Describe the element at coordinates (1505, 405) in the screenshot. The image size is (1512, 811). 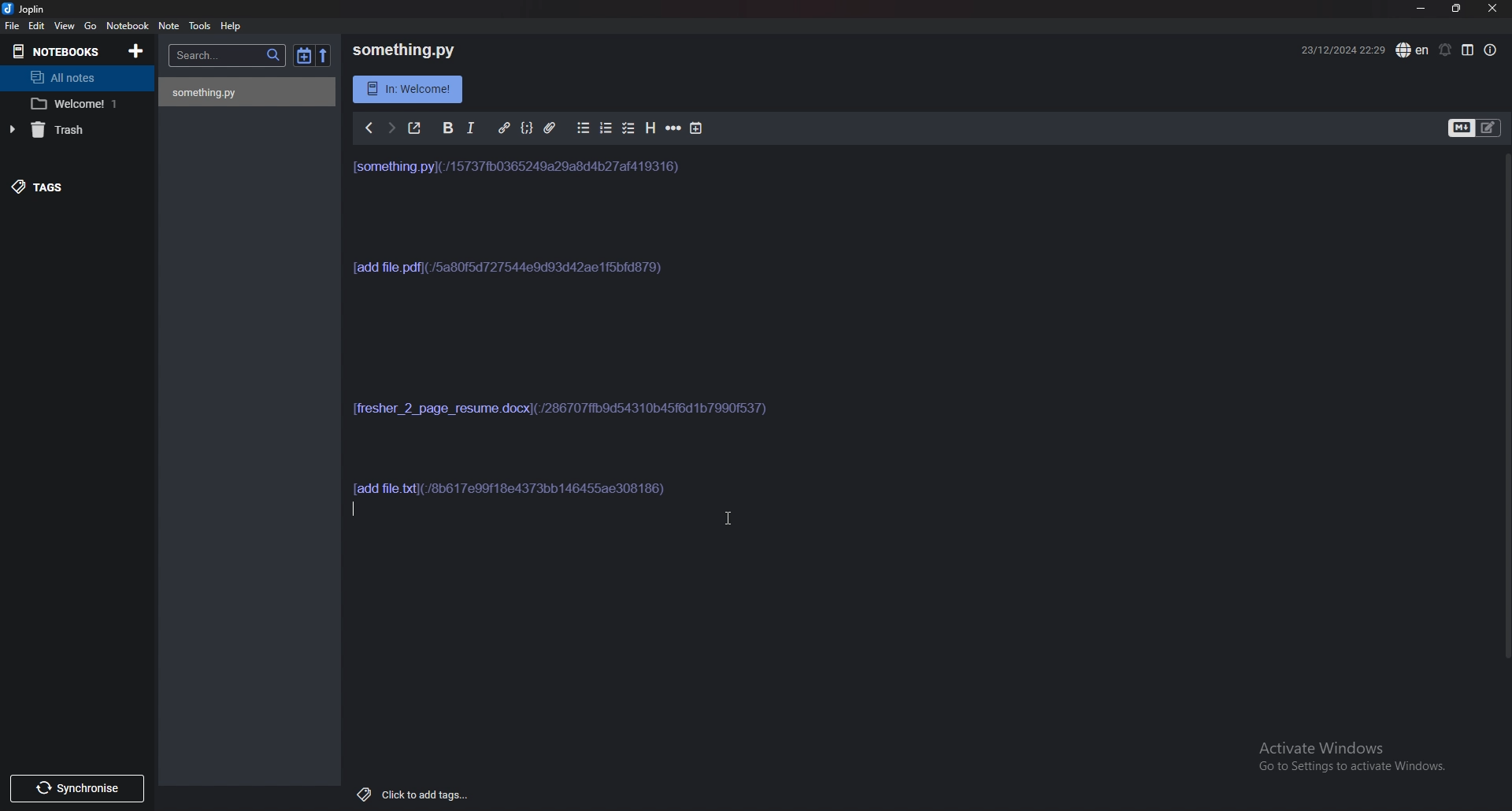
I see `Scroll bar` at that location.